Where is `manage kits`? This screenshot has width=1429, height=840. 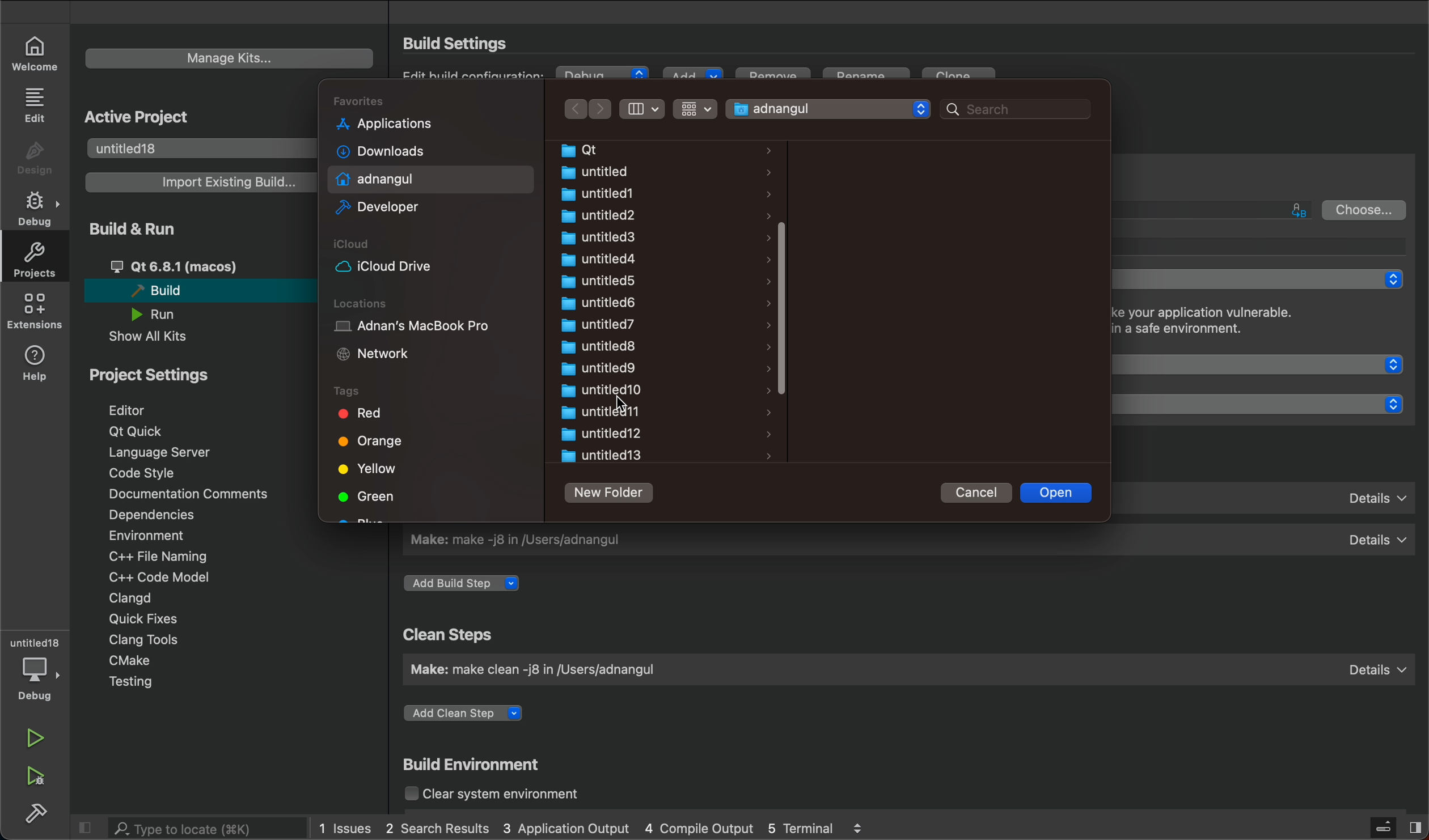
manage kits is located at coordinates (231, 58).